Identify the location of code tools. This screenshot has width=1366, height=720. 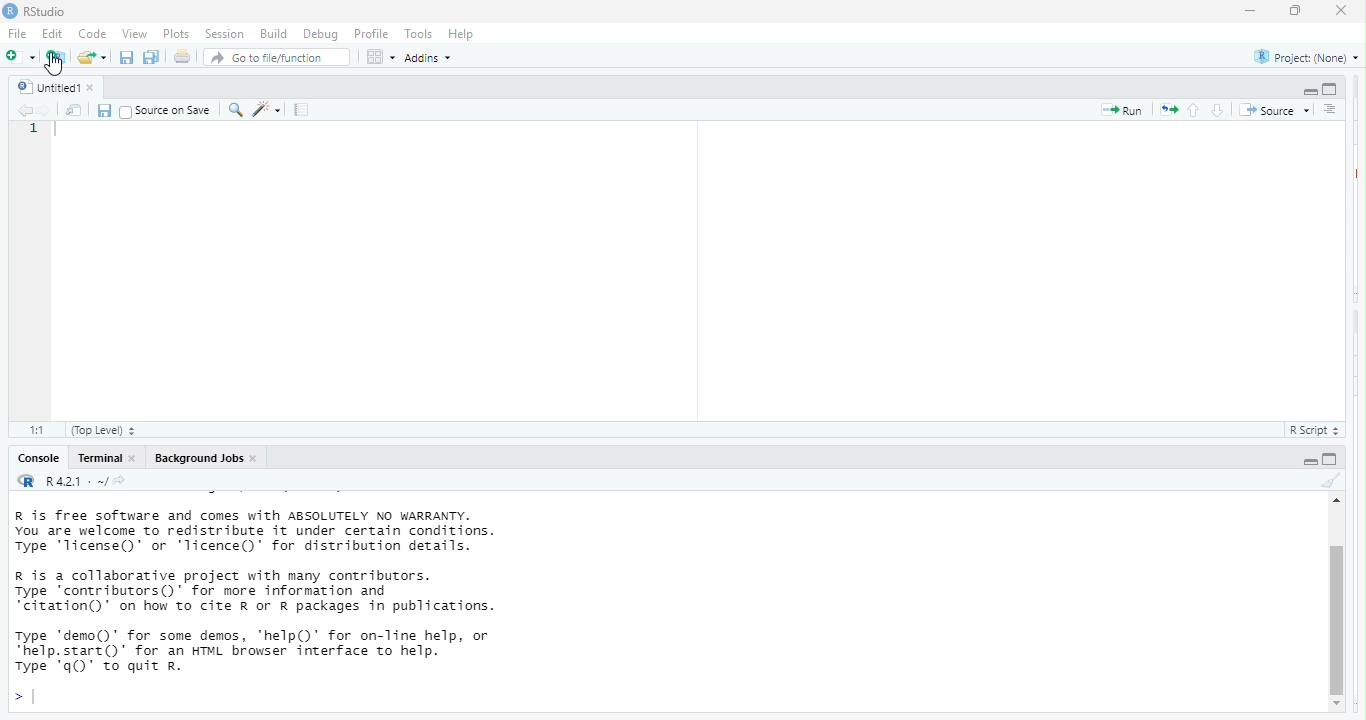
(269, 110).